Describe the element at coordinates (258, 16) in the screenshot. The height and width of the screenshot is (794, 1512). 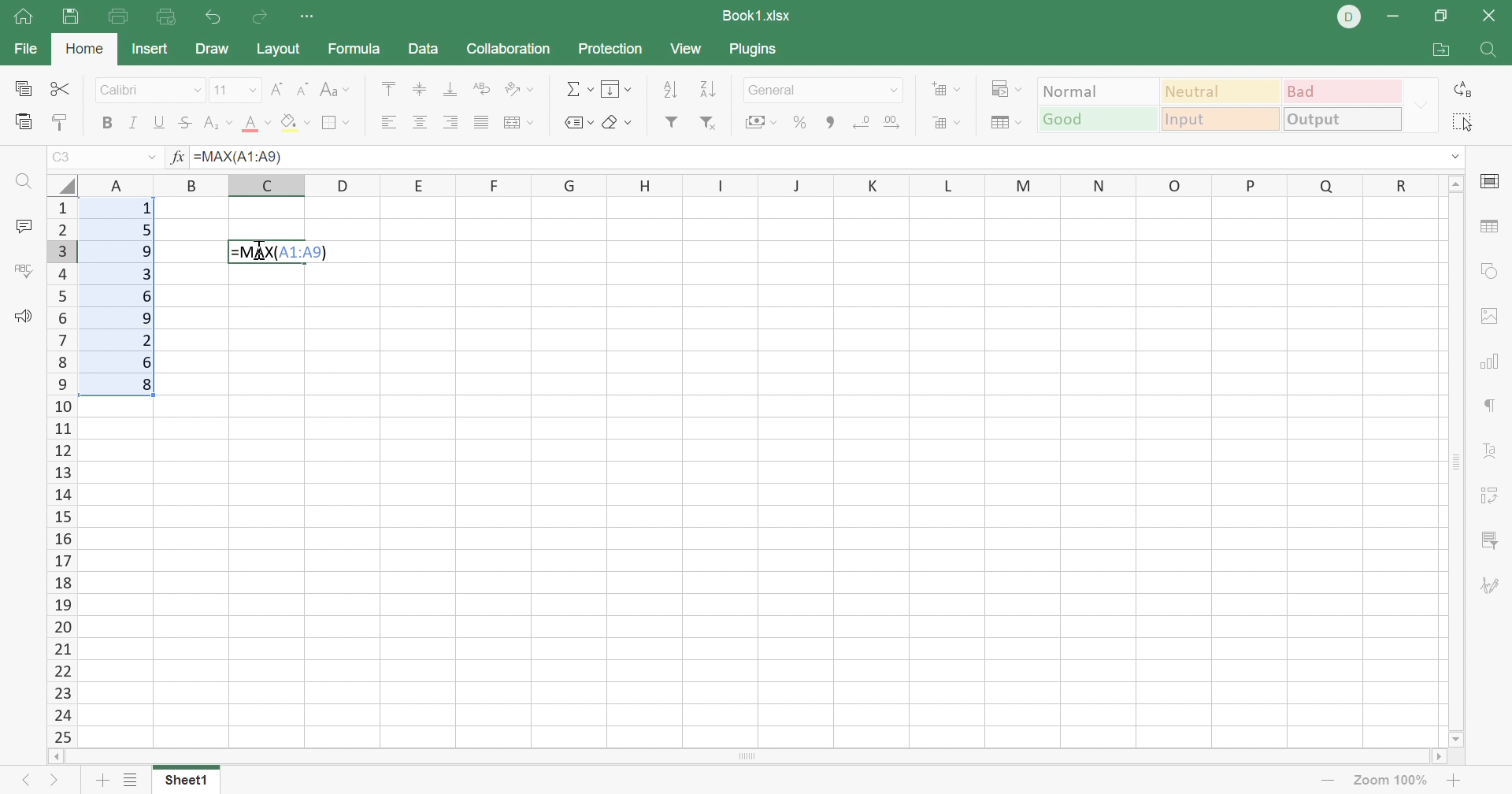
I see `Redo` at that location.